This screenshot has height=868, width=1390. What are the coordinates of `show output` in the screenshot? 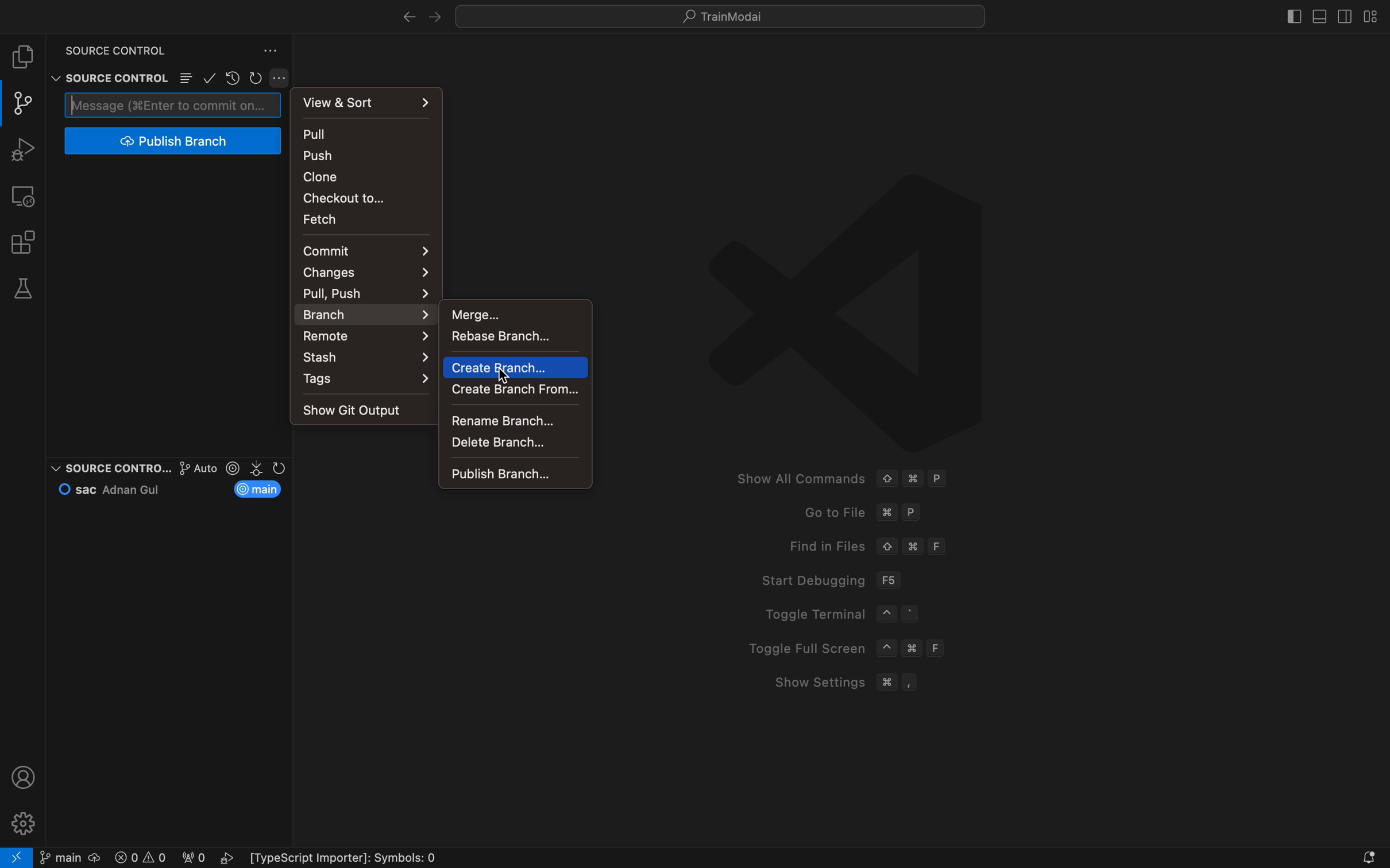 It's located at (361, 408).